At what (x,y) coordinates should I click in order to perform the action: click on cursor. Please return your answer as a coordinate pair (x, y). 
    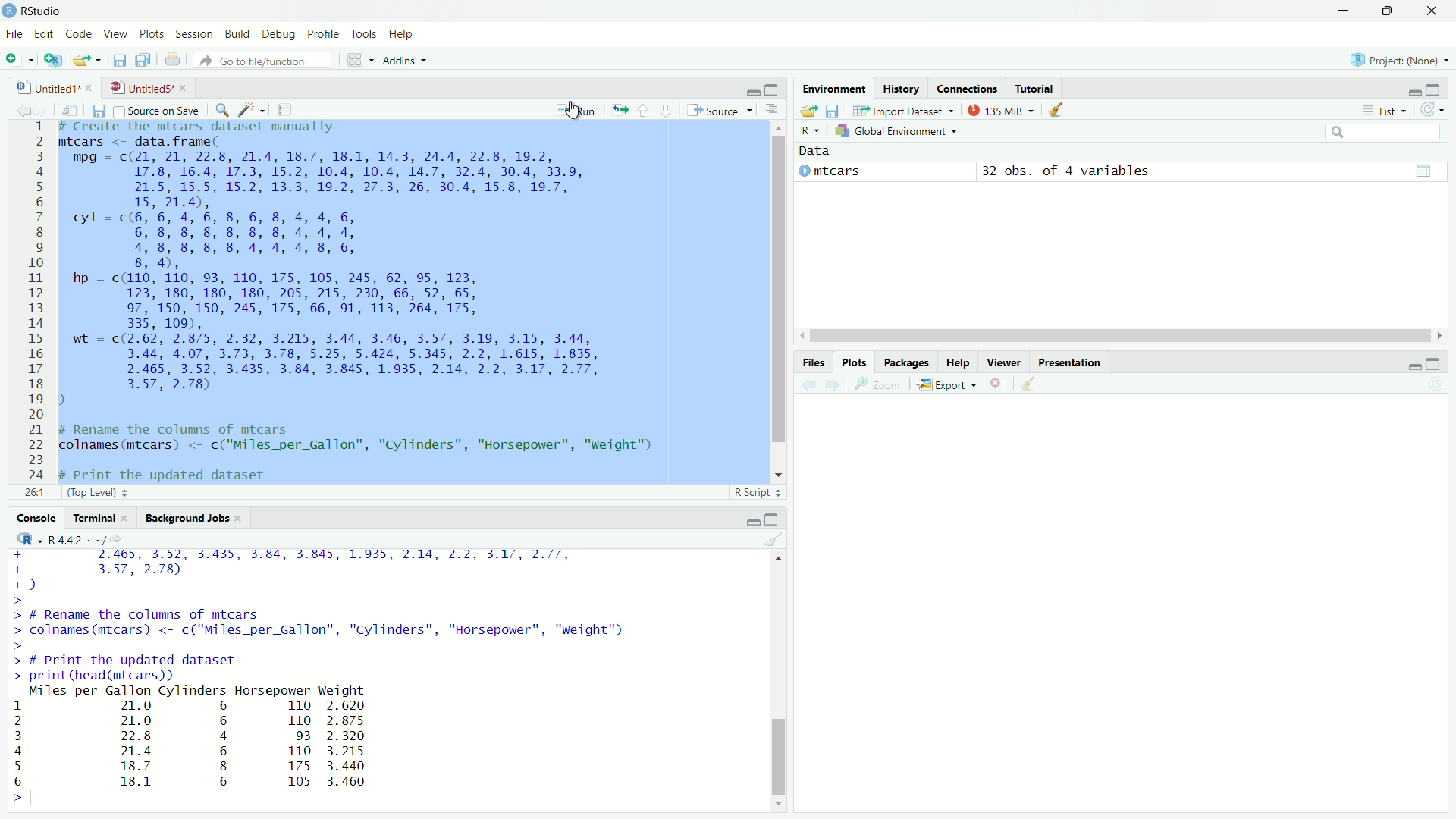
    Looking at the image, I should click on (572, 113).